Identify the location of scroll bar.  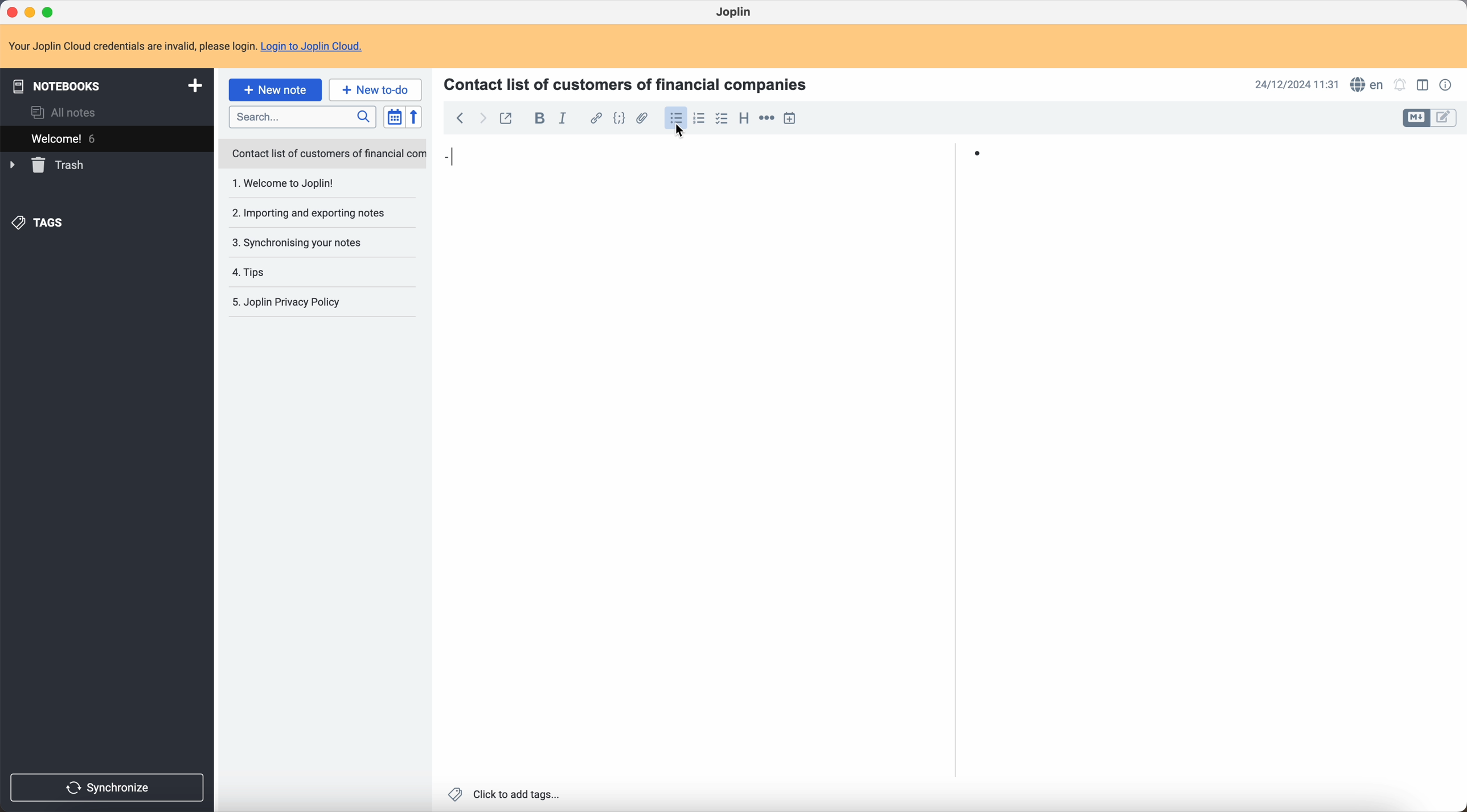
(950, 246).